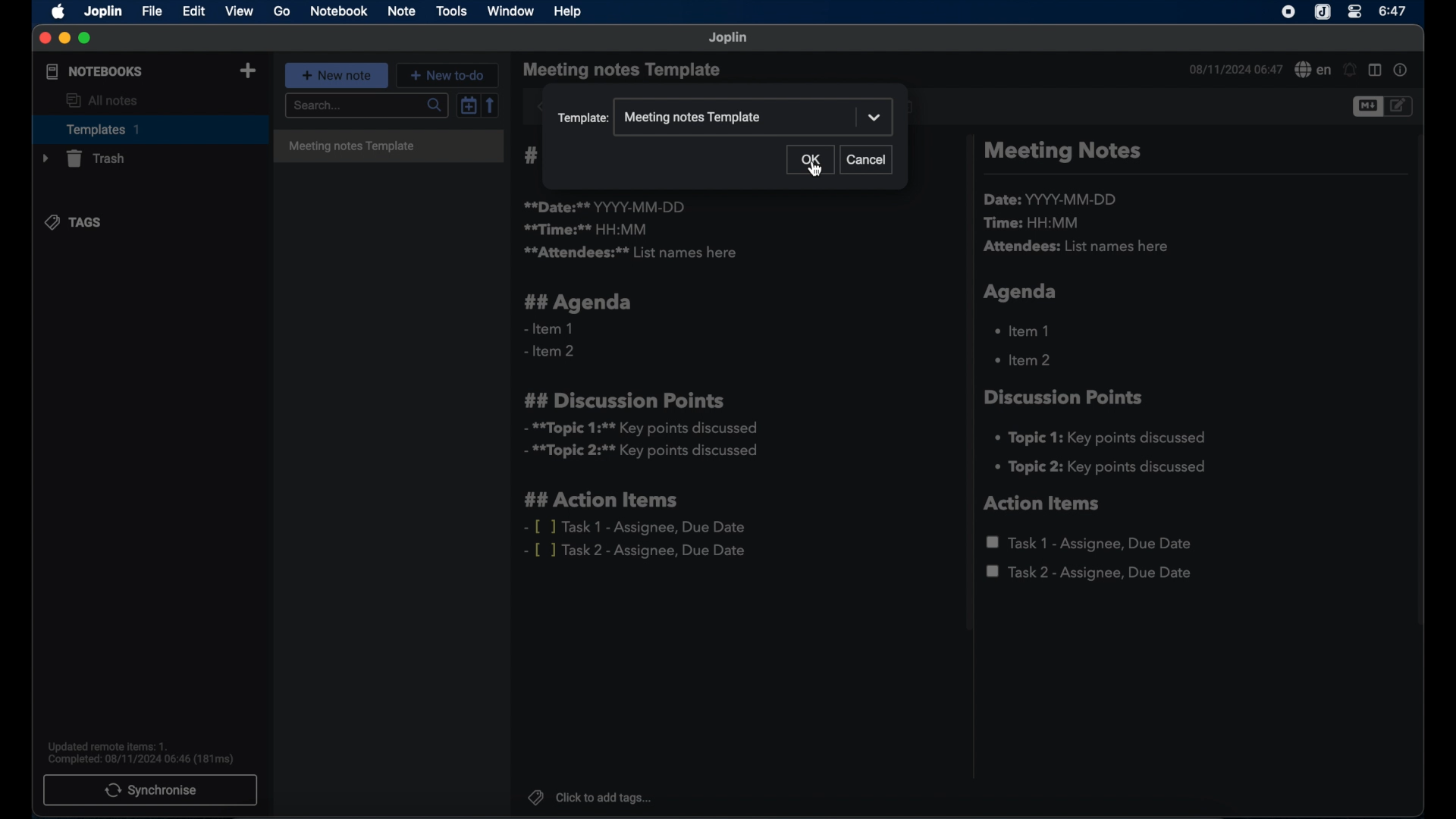  Describe the element at coordinates (693, 118) in the screenshot. I see `meeting notes template` at that location.